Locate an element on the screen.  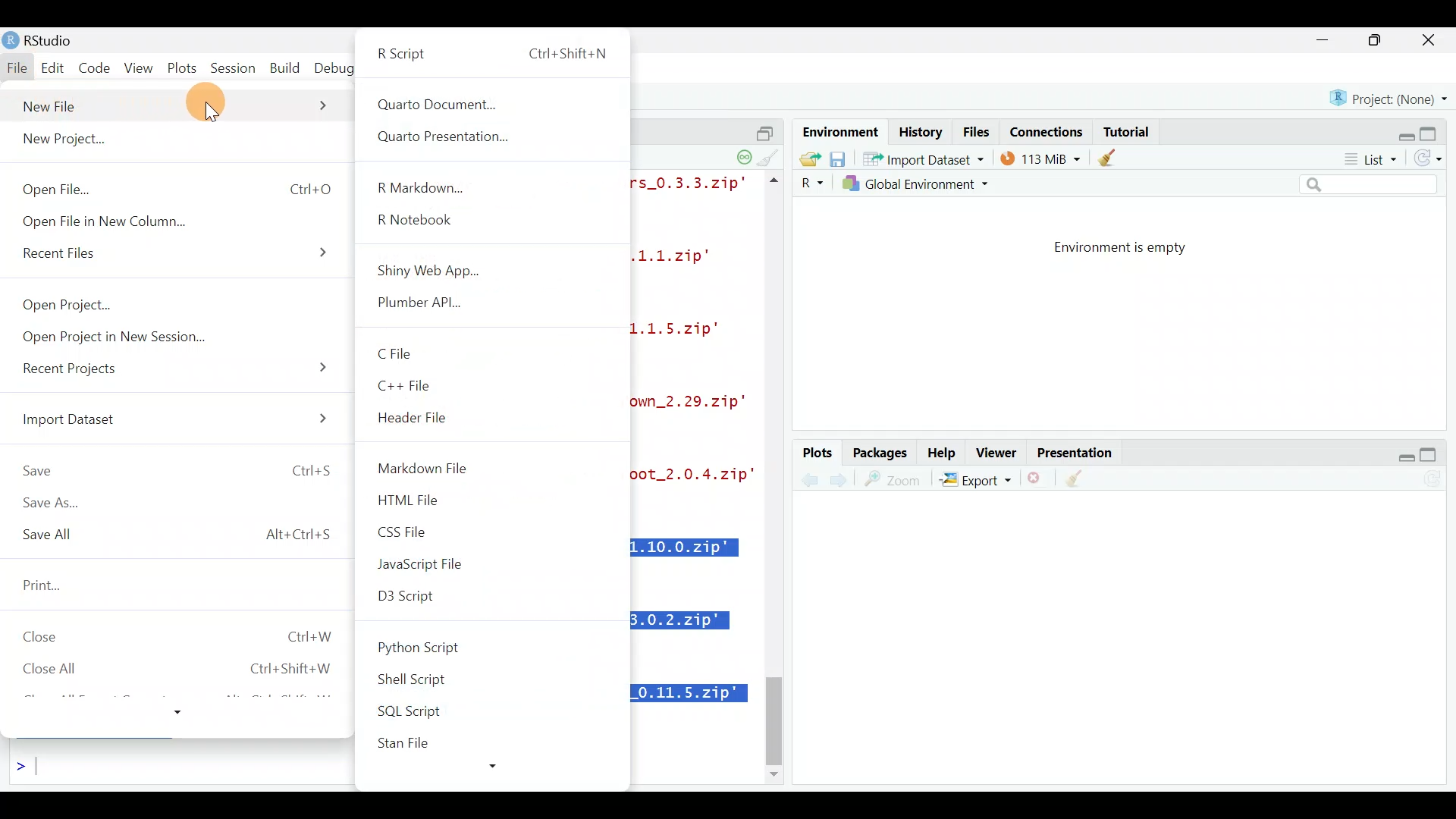
Edit is located at coordinates (55, 69).